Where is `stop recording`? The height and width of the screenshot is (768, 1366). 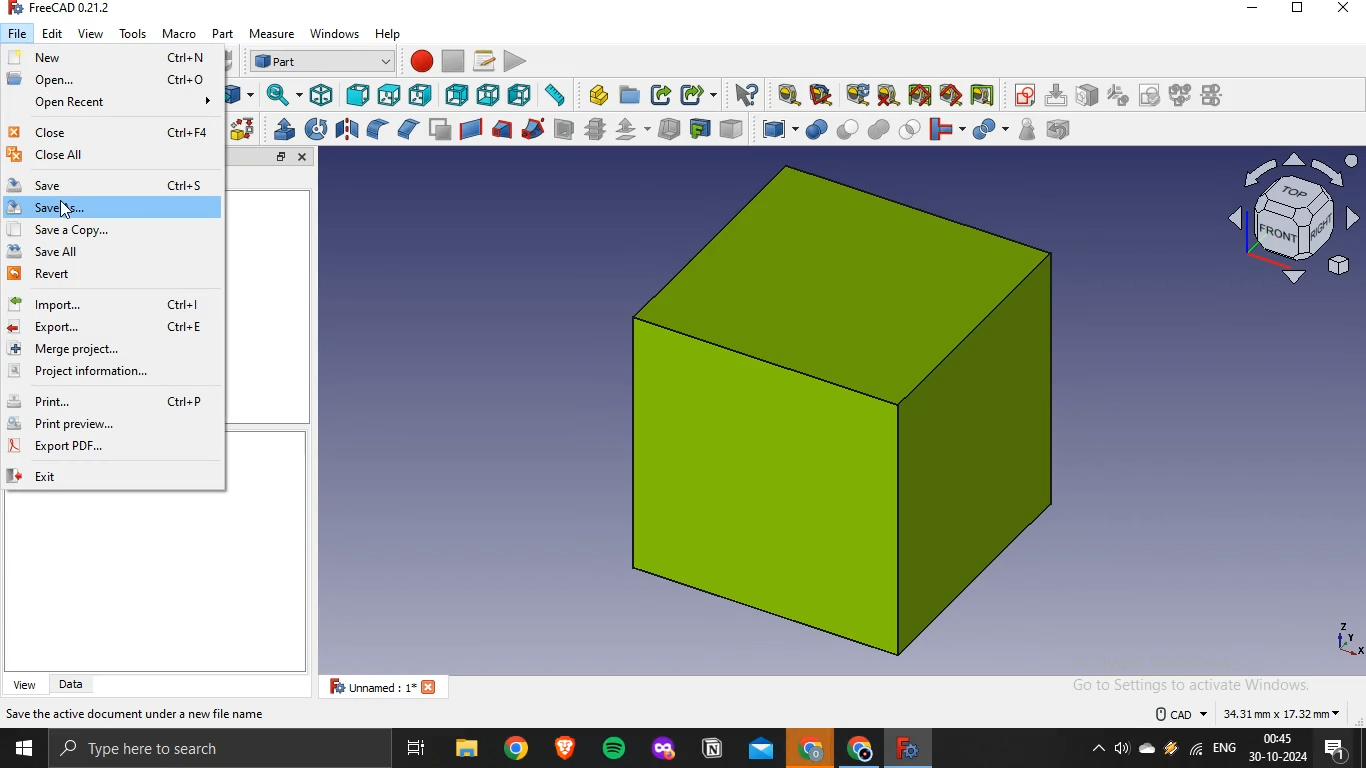 stop recording is located at coordinates (454, 61).